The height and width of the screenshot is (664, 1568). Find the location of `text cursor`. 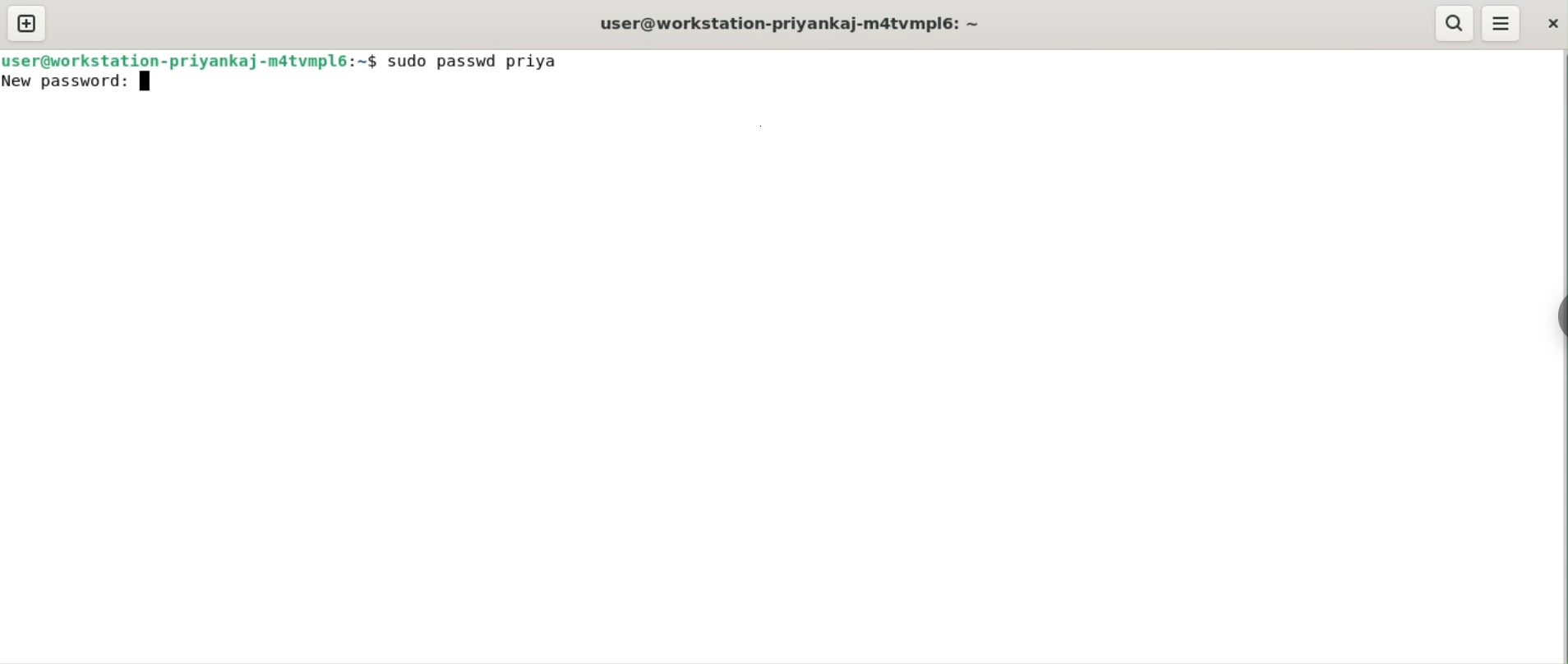

text cursor is located at coordinates (145, 84).